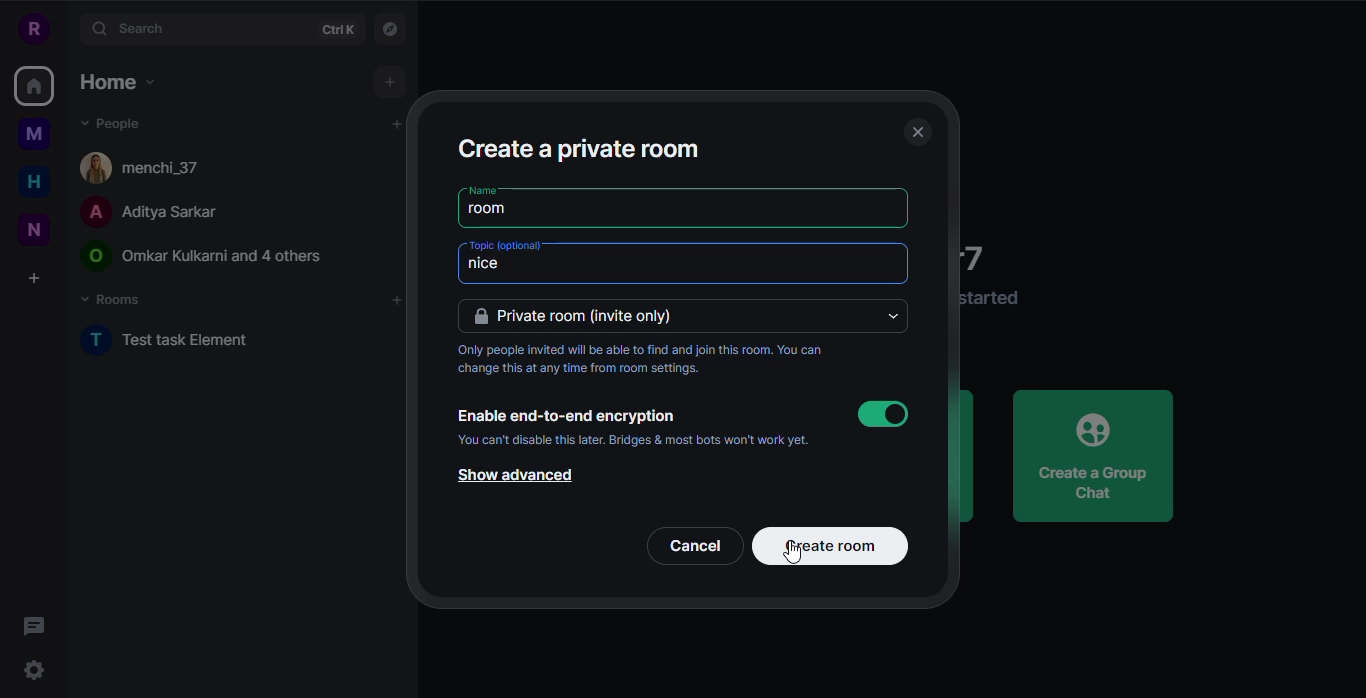  What do you see at coordinates (390, 82) in the screenshot?
I see `add` at bounding box center [390, 82].